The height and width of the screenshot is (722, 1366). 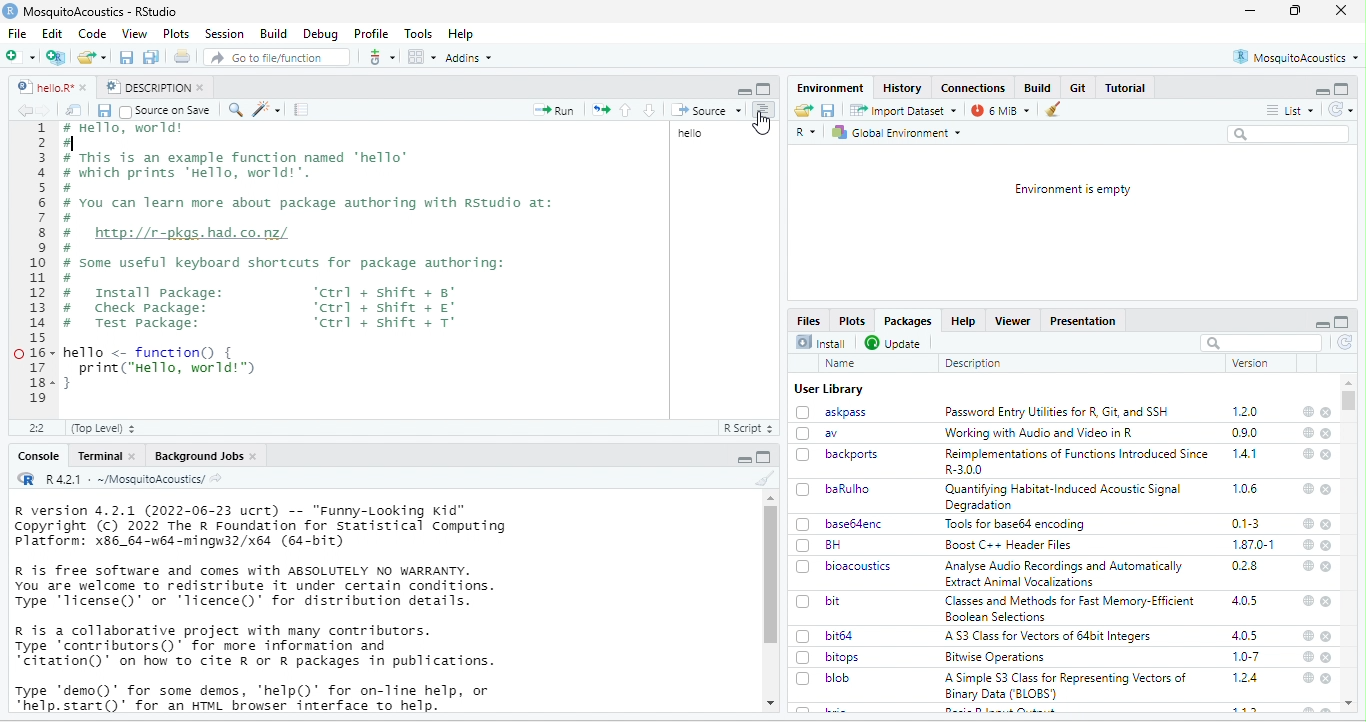 I want to click on find, so click(x=237, y=110).